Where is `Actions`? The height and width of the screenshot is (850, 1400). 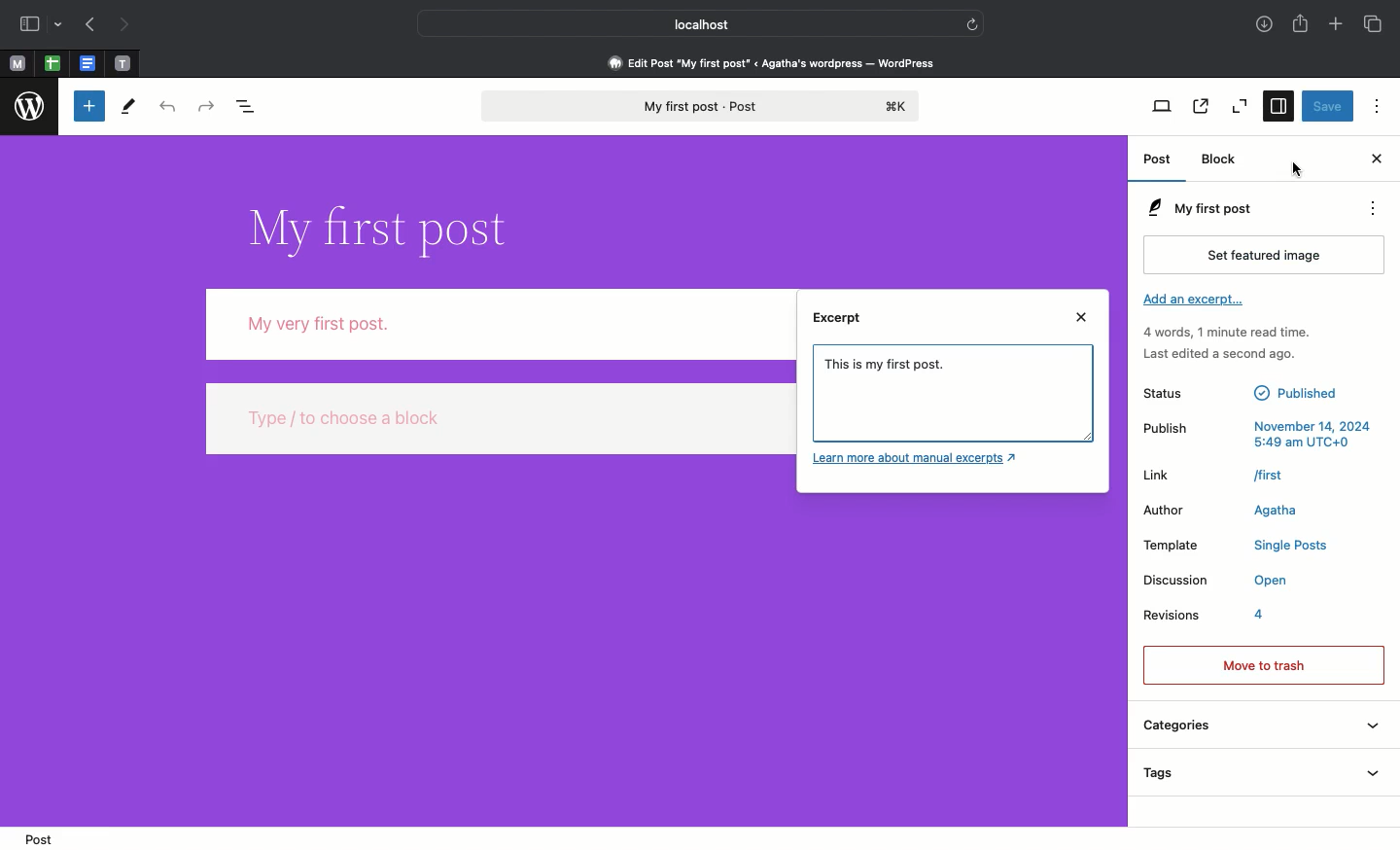
Actions is located at coordinates (1381, 209).